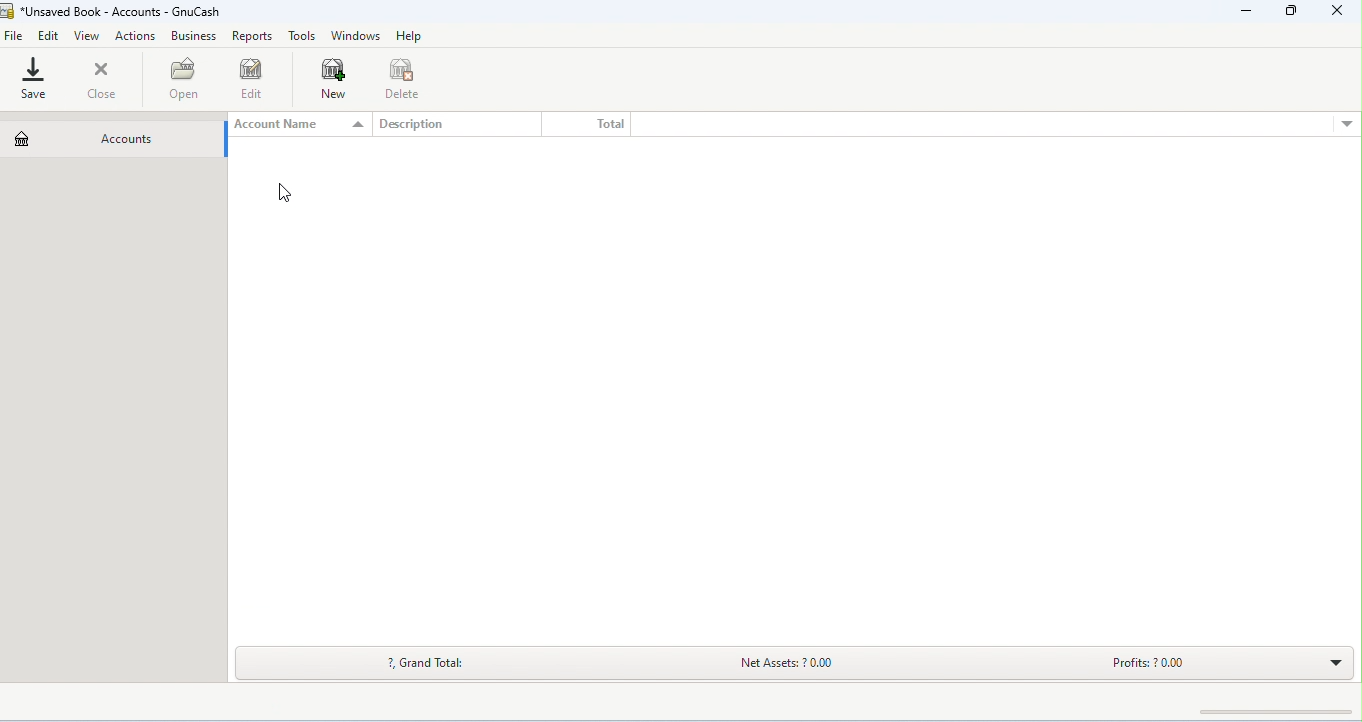  What do you see at coordinates (303, 36) in the screenshot?
I see `tools` at bounding box center [303, 36].